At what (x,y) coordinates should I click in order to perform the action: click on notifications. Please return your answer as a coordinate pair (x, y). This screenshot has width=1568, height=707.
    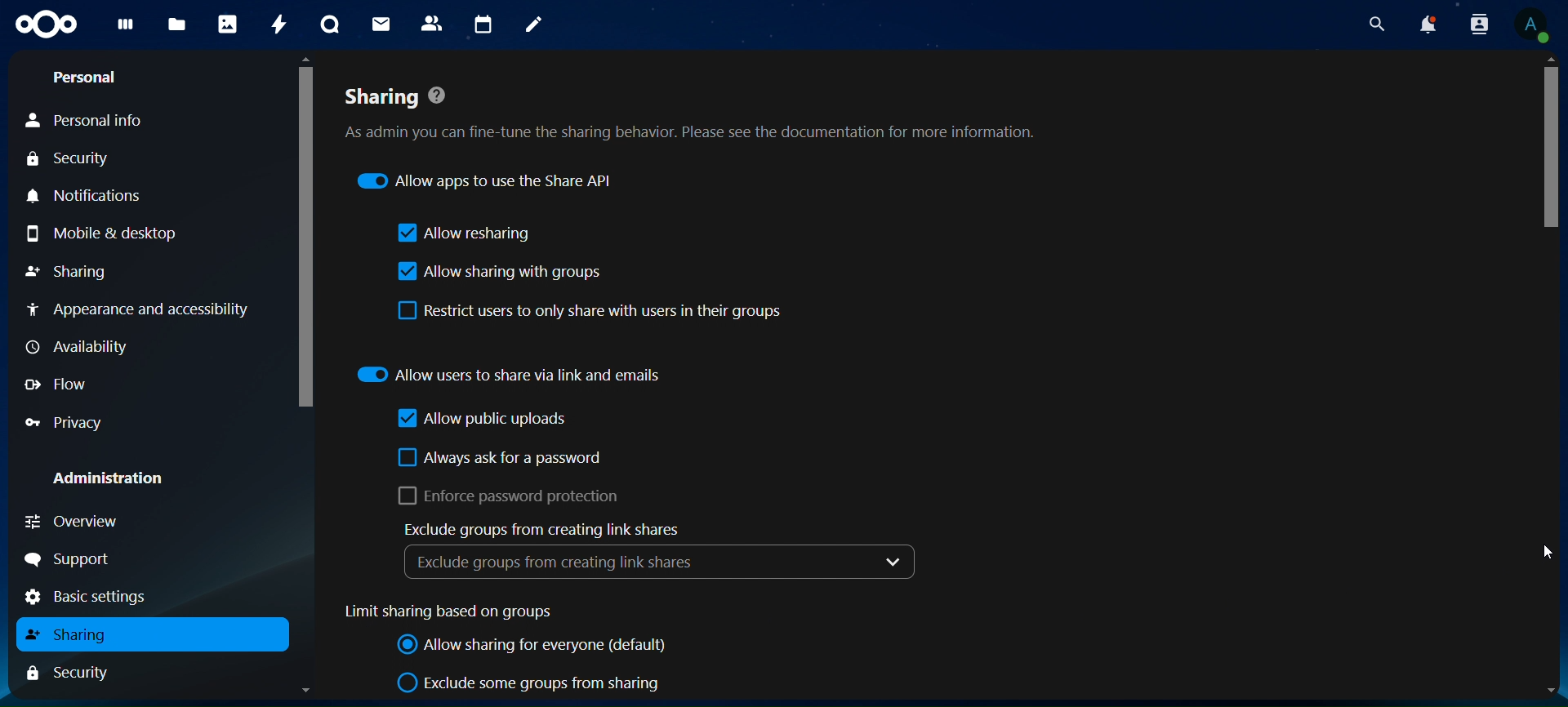
    Looking at the image, I should click on (97, 195).